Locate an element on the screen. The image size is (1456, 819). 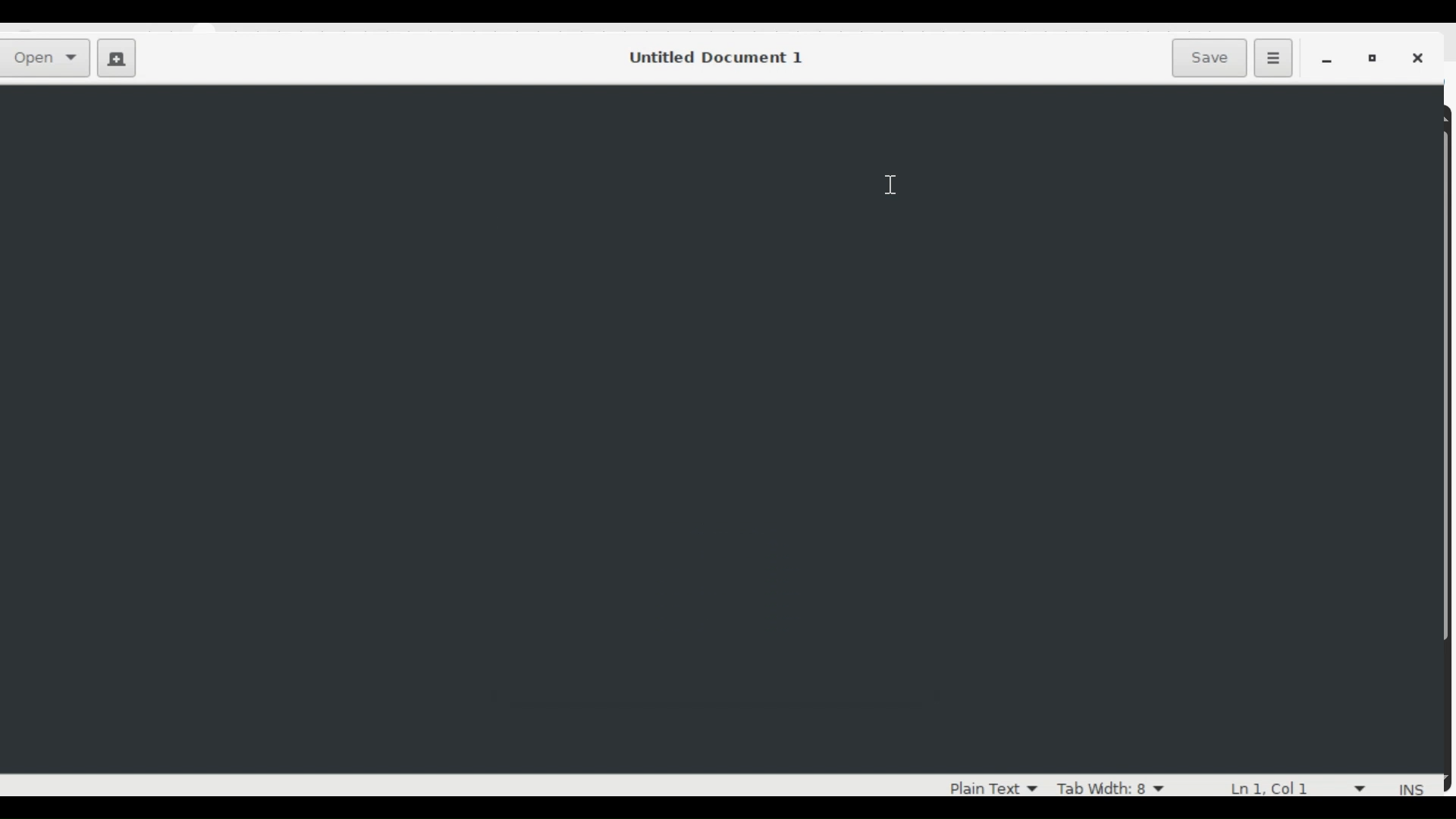
Untitled Document 1 is located at coordinates (714, 58).